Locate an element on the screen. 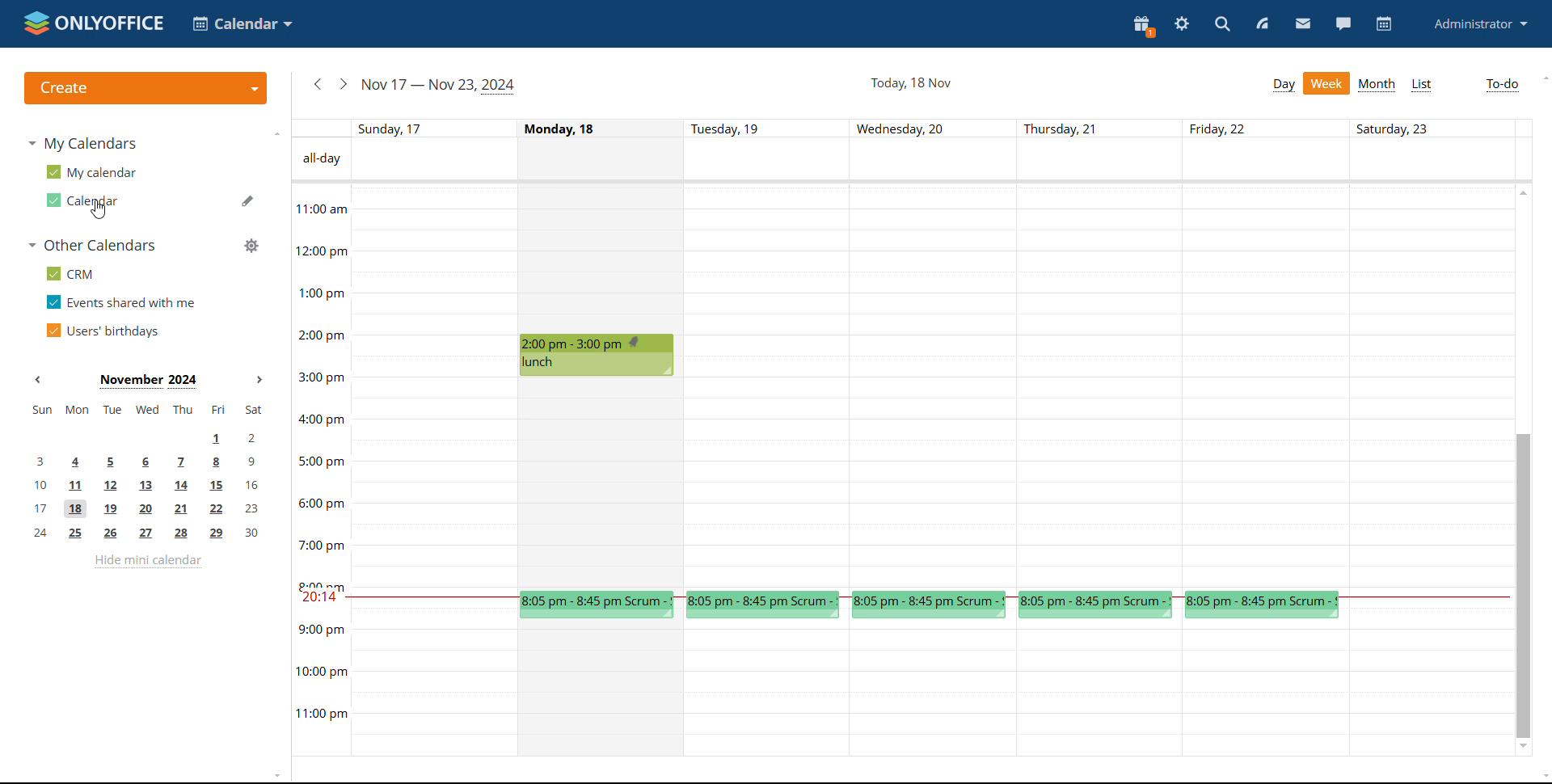  feed is located at coordinates (1262, 23).